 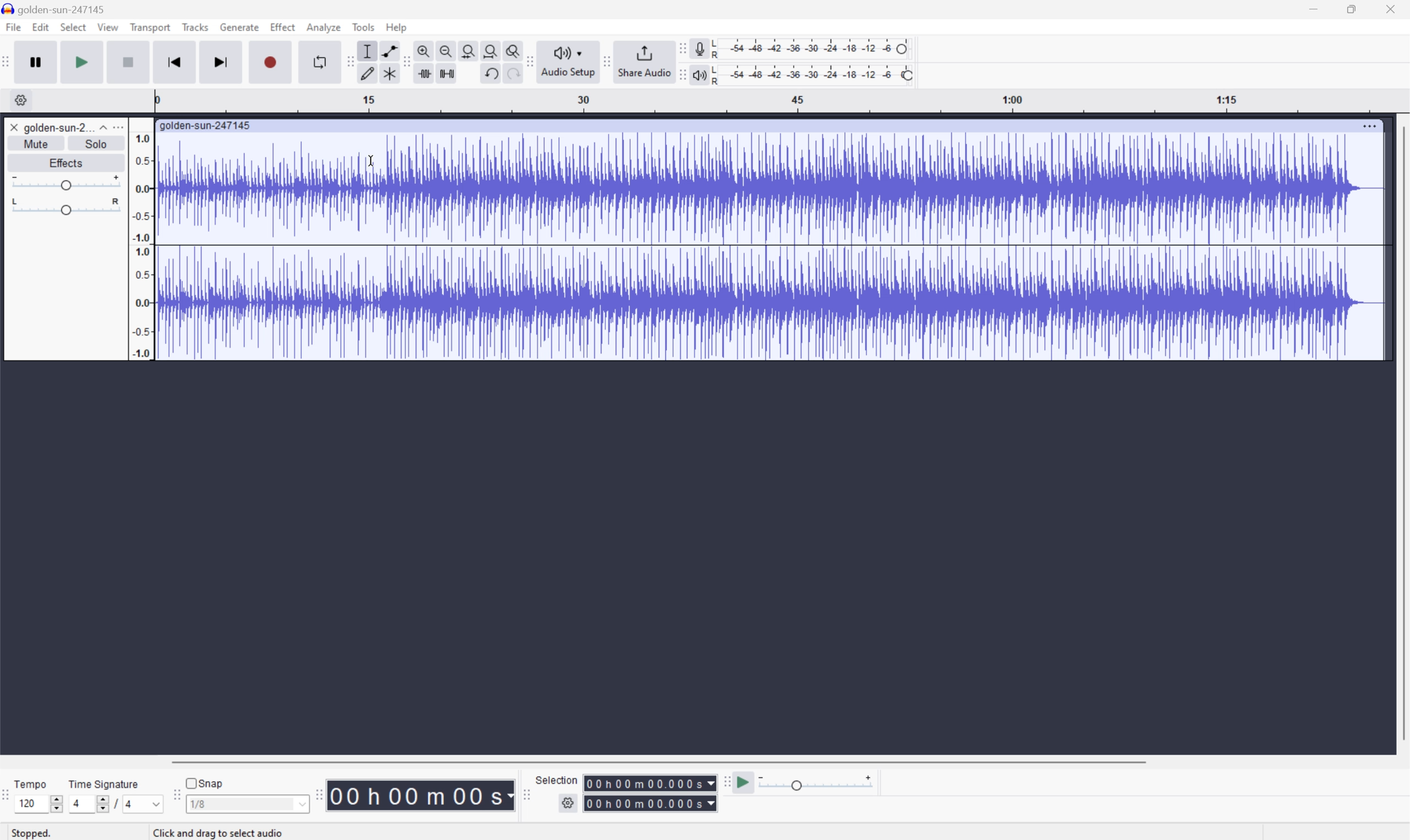 What do you see at coordinates (422, 74) in the screenshot?
I see `Trim audio outside selection` at bounding box center [422, 74].